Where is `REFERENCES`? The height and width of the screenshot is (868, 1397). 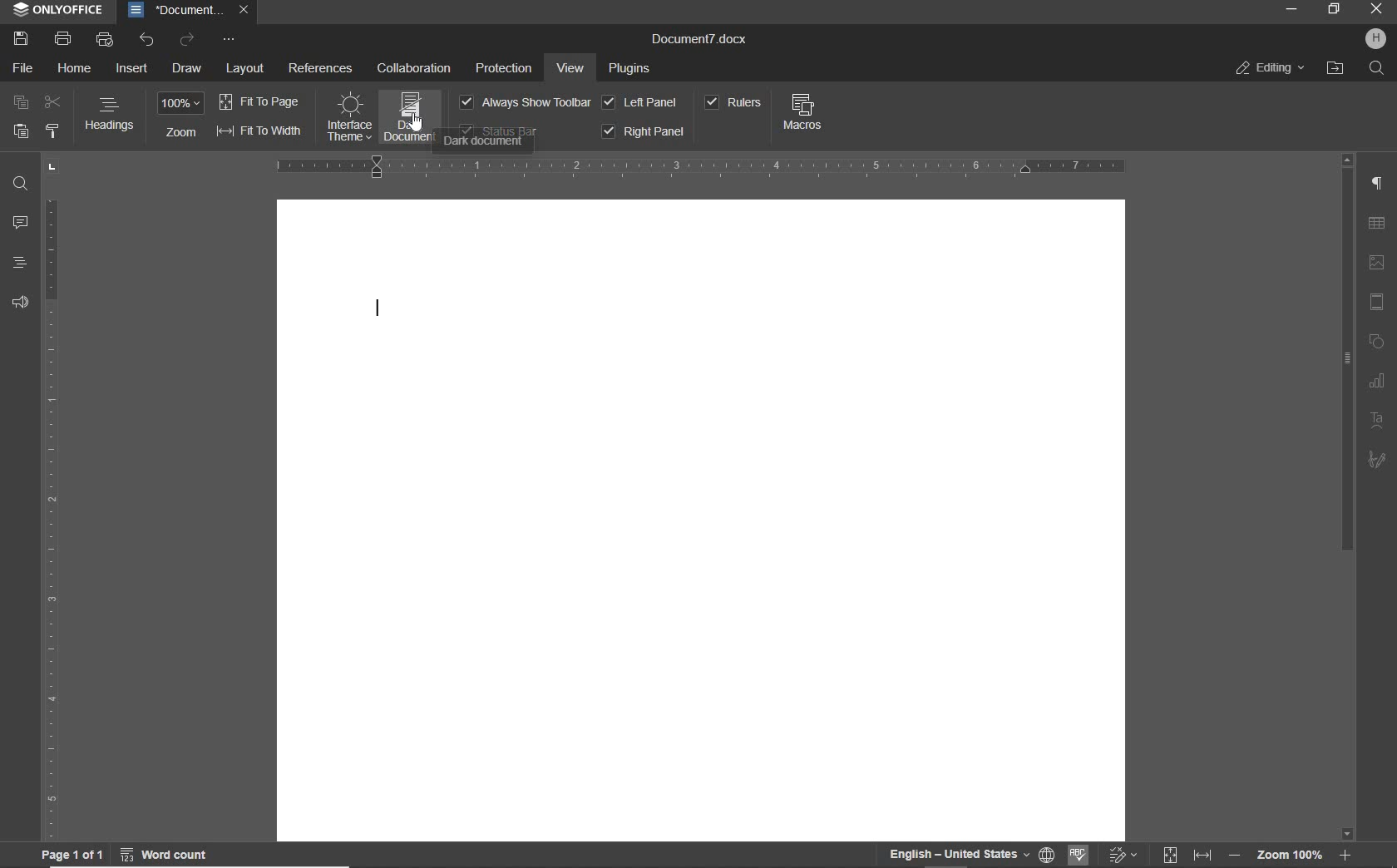 REFERENCES is located at coordinates (321, 67).